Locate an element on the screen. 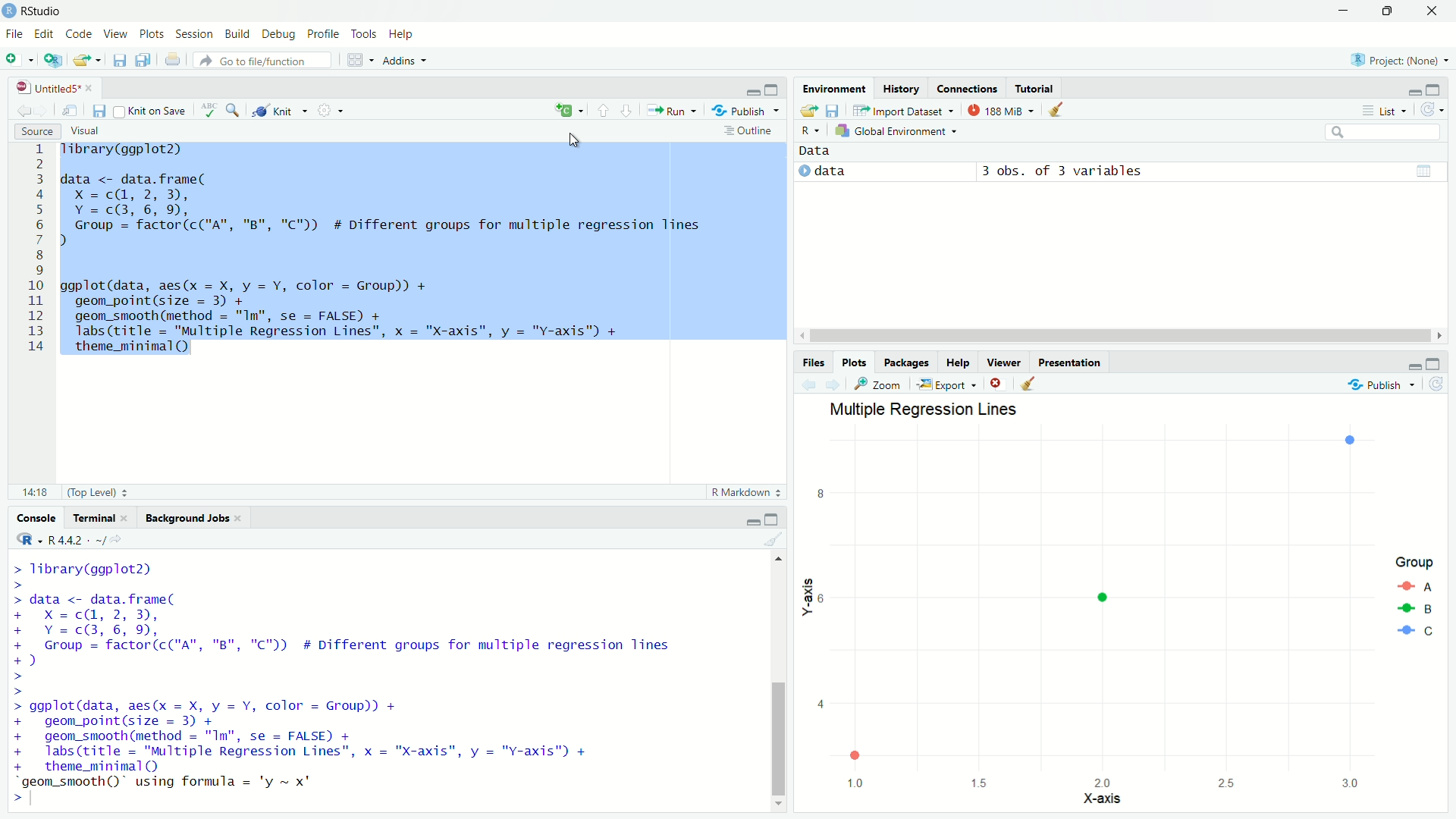 Image resolution: width=1456 pixels, height=819 pixels. clear is located at coordinates (1040, 384).